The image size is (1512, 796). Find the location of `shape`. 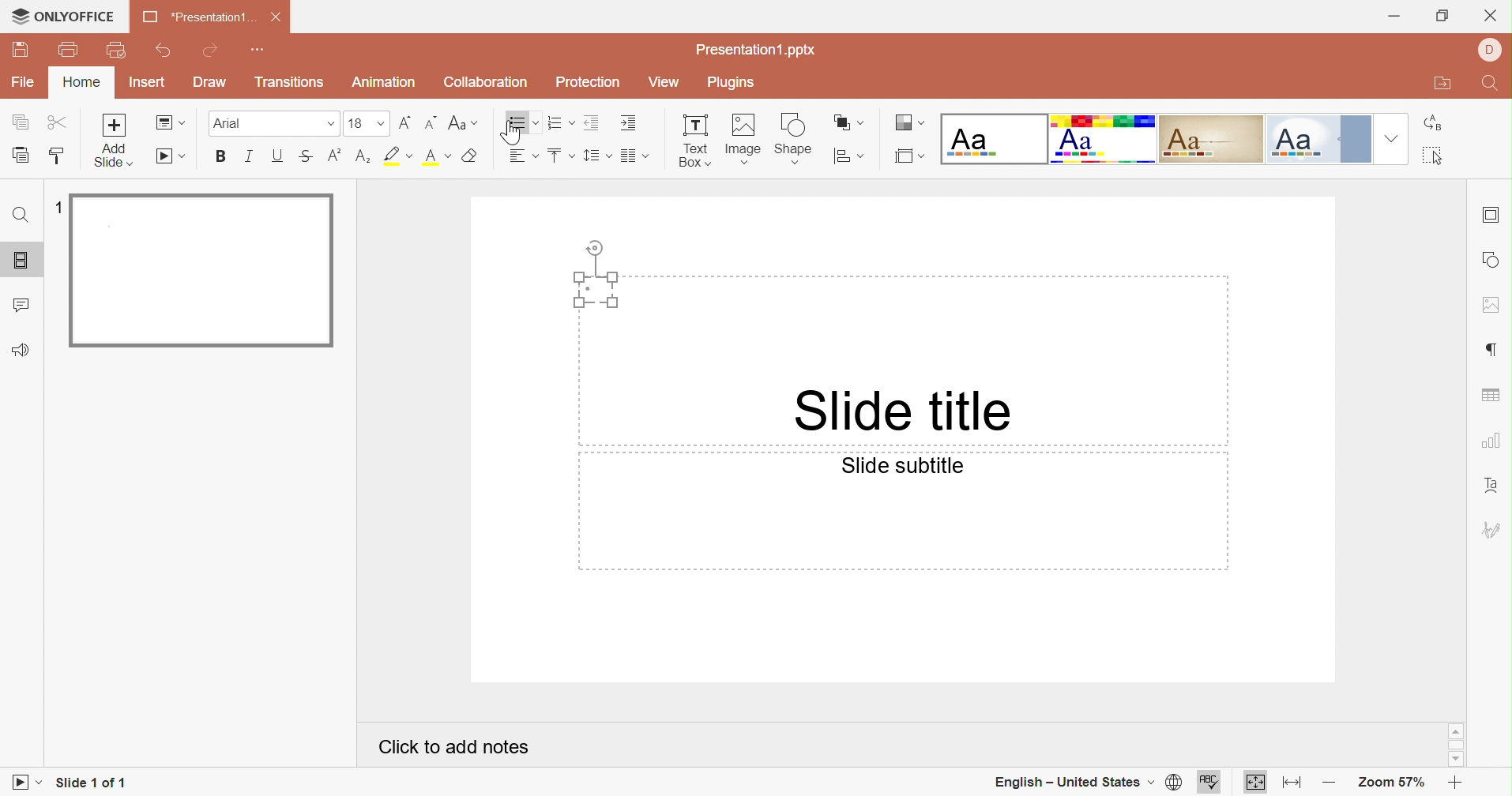

shape is located at coordinates (799, 137).